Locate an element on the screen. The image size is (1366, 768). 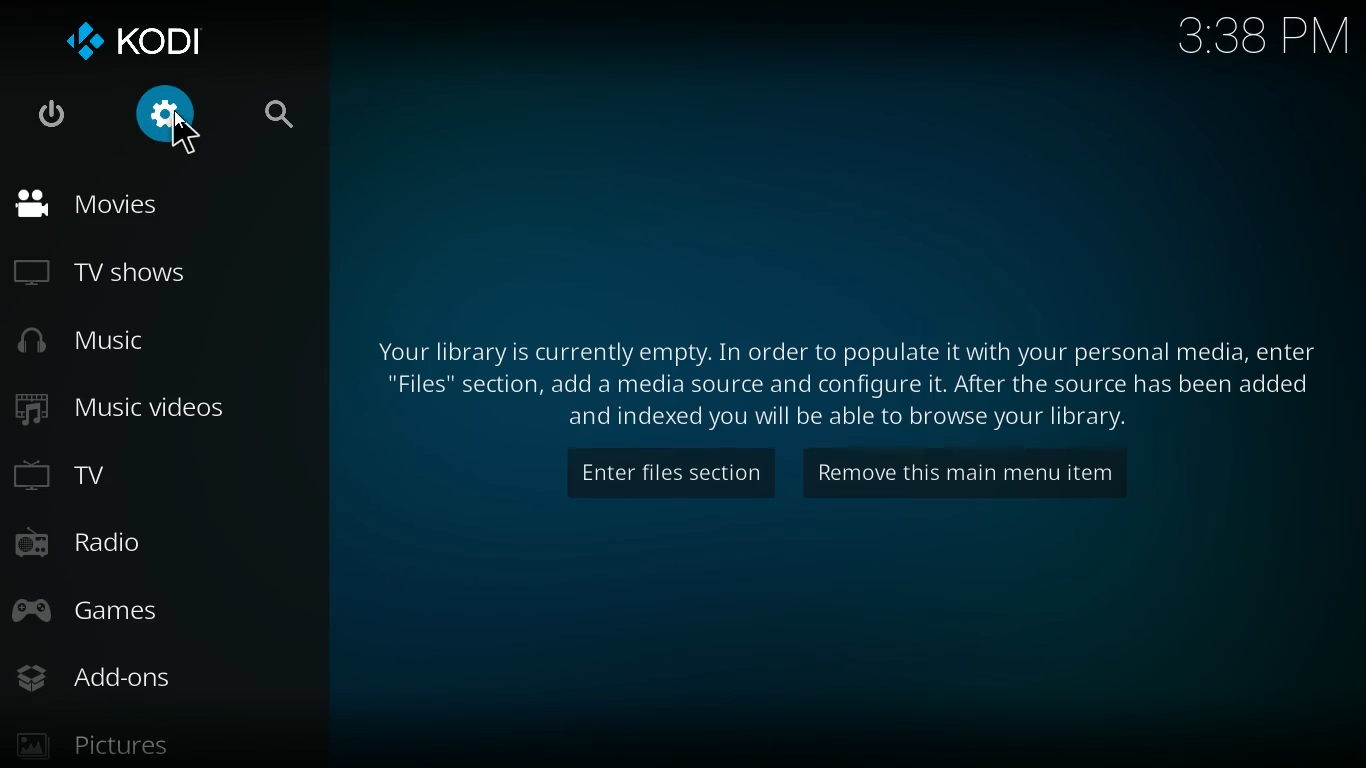
remove this main menu item is located at coordinates (982, 477).